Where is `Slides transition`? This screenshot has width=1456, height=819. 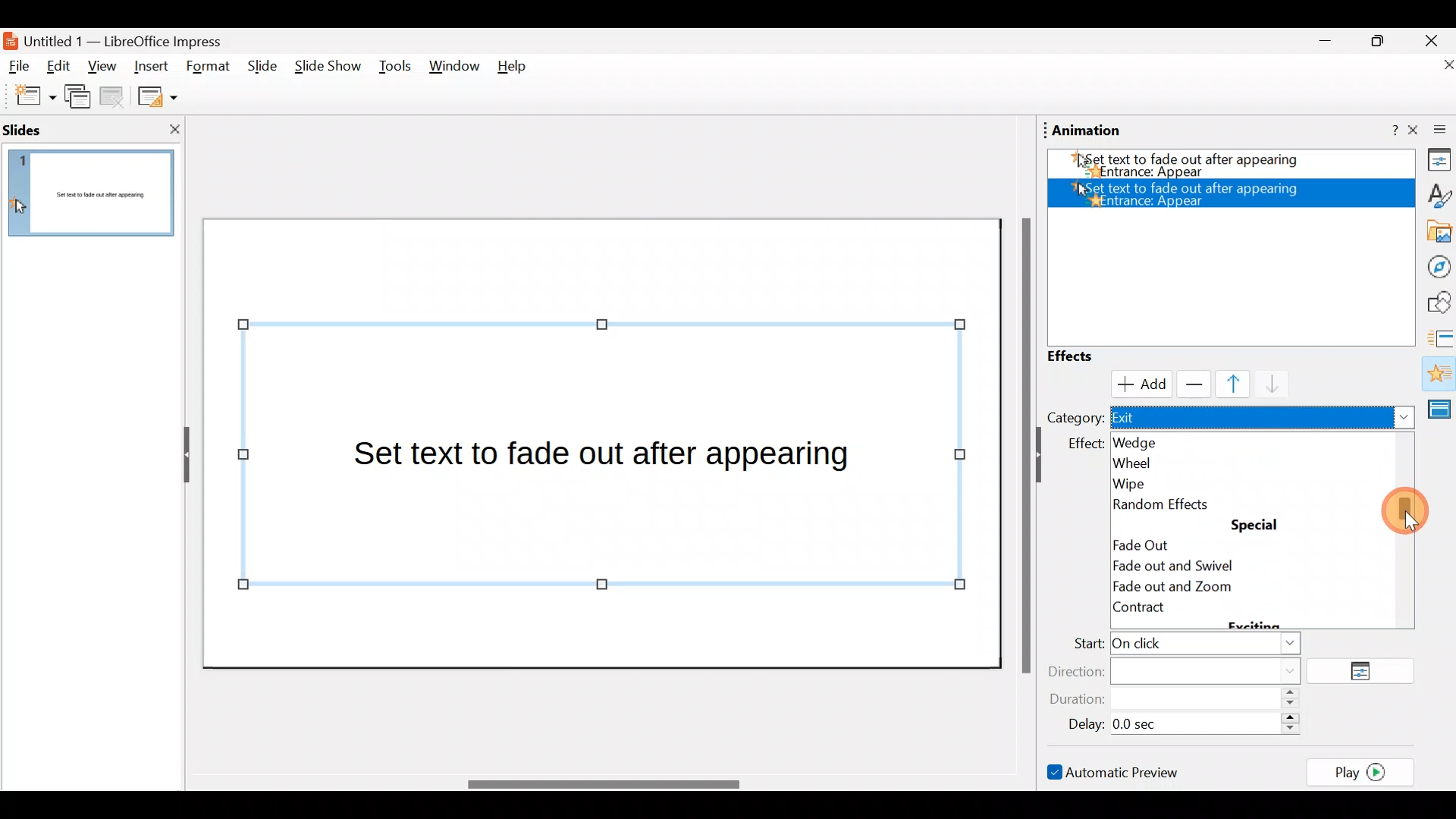
Slides transition is located at coordinates (1441, 337).